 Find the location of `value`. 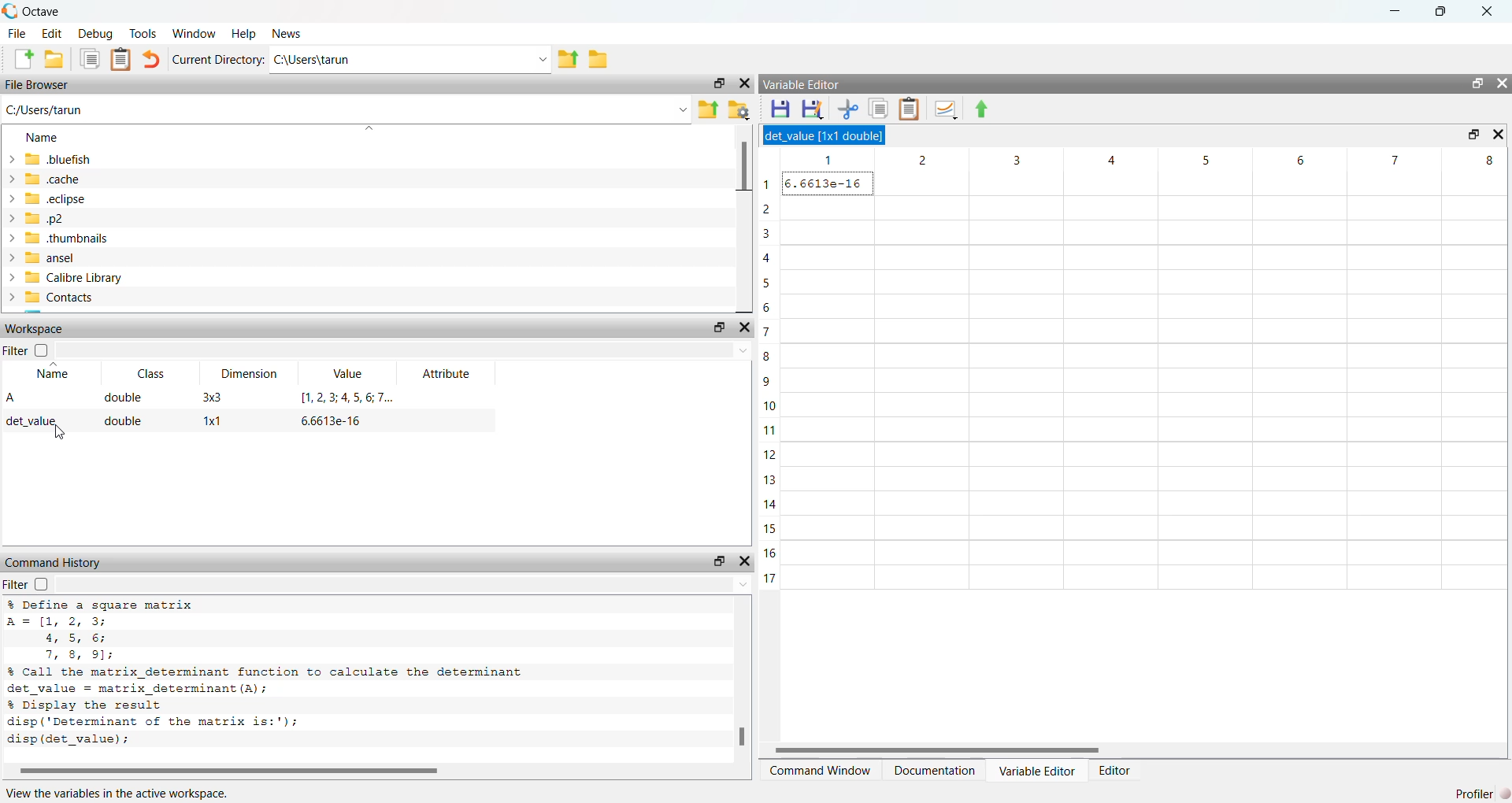

value is located at coordinates (350, 375).